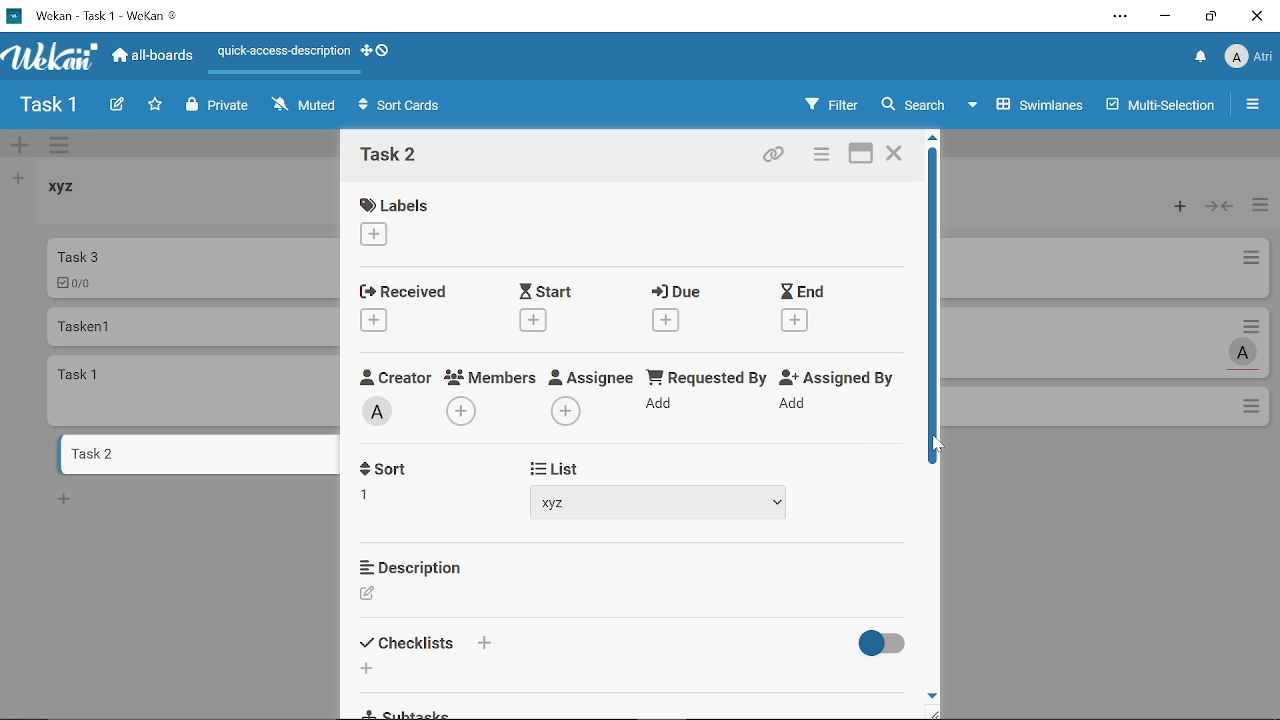 The width and height of the screenshot is (1280, 720). Describe the element at coordinates (1248, 59) in the screenshot. I see `Profile` at that location.